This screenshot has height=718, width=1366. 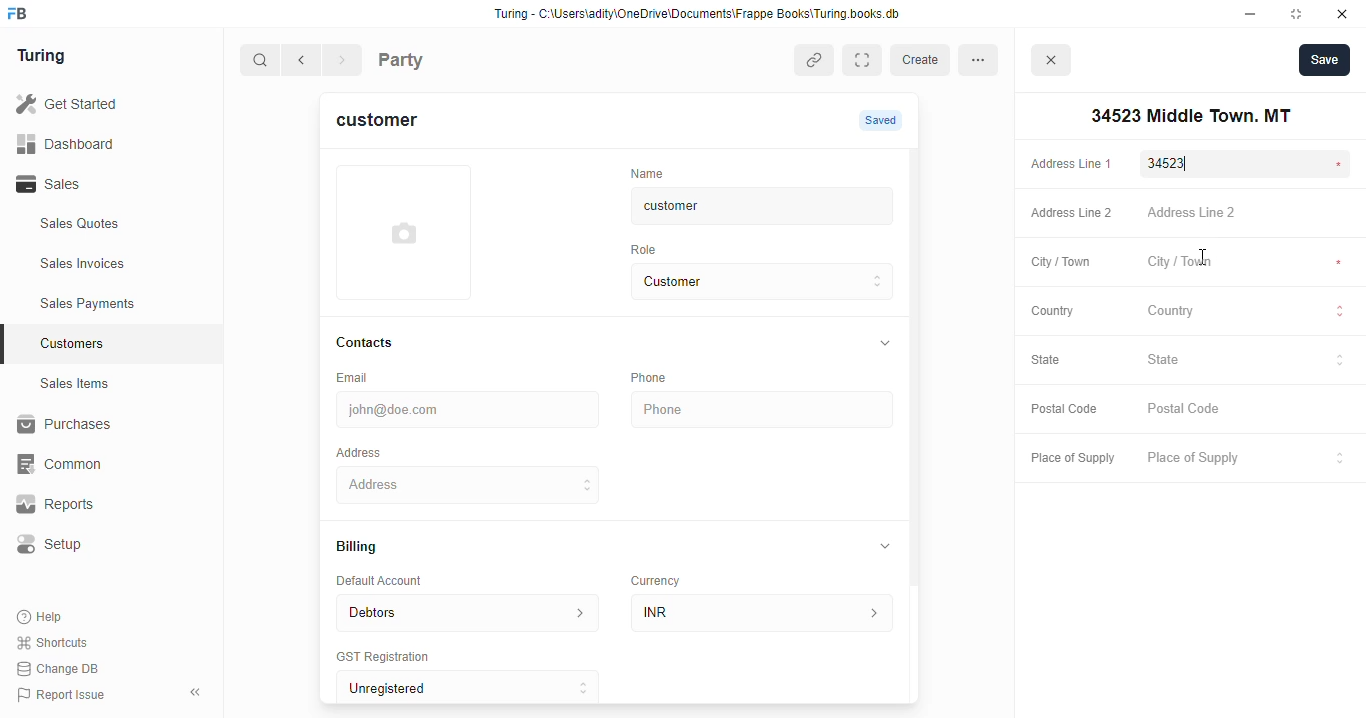 What do you see at coordinates (765, 410) in the screenshot?
I see `Phone` at bounding box center [765, 410].